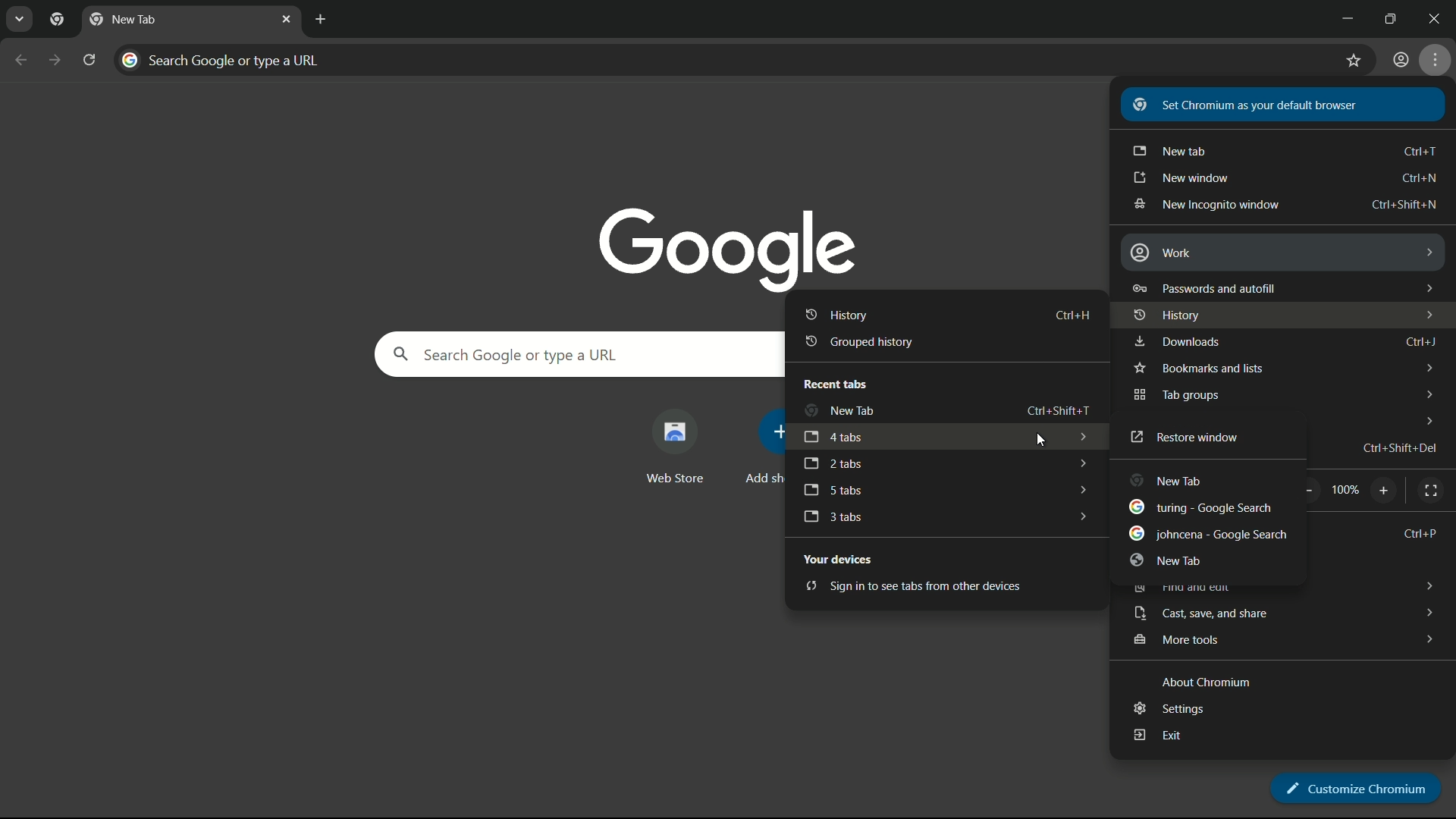  Describe the element at coordinates (53, 60) in the screenshot. I see `forward` at that location.